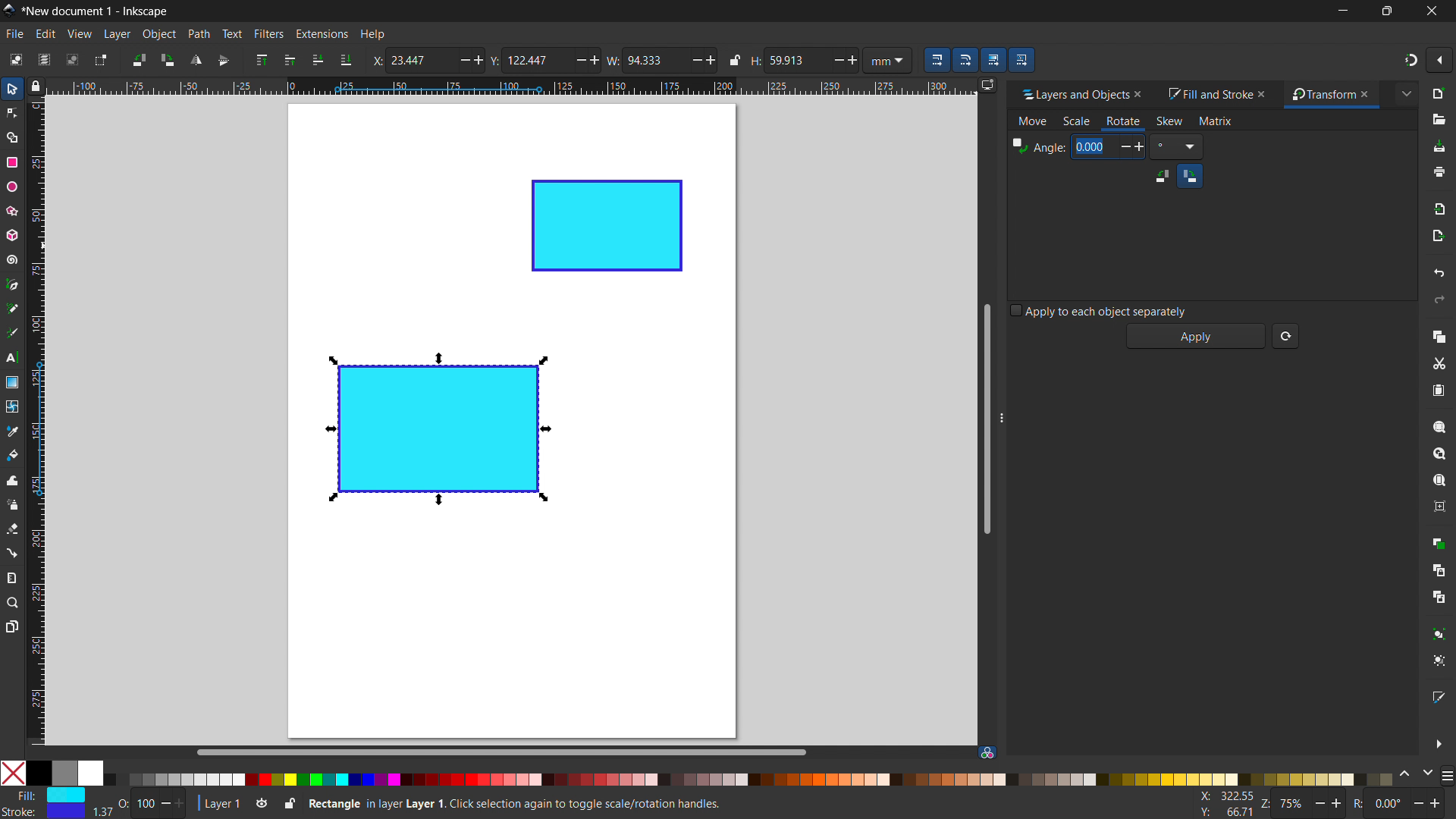 Image resolution: width=1456 pixels, height=819 pixels. I want to click on close, so click(1265, 93).